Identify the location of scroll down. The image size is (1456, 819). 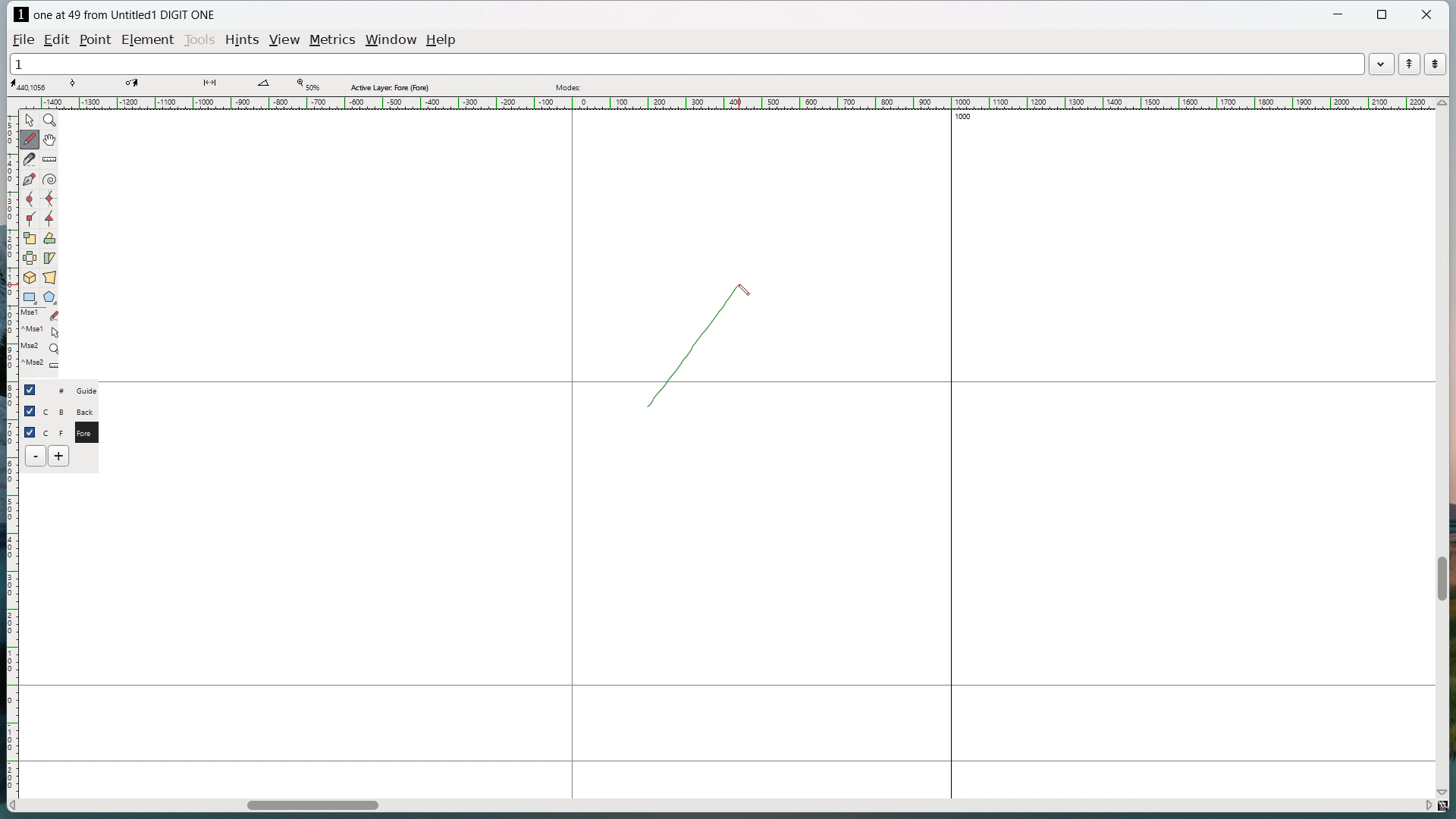
(1446, 789).